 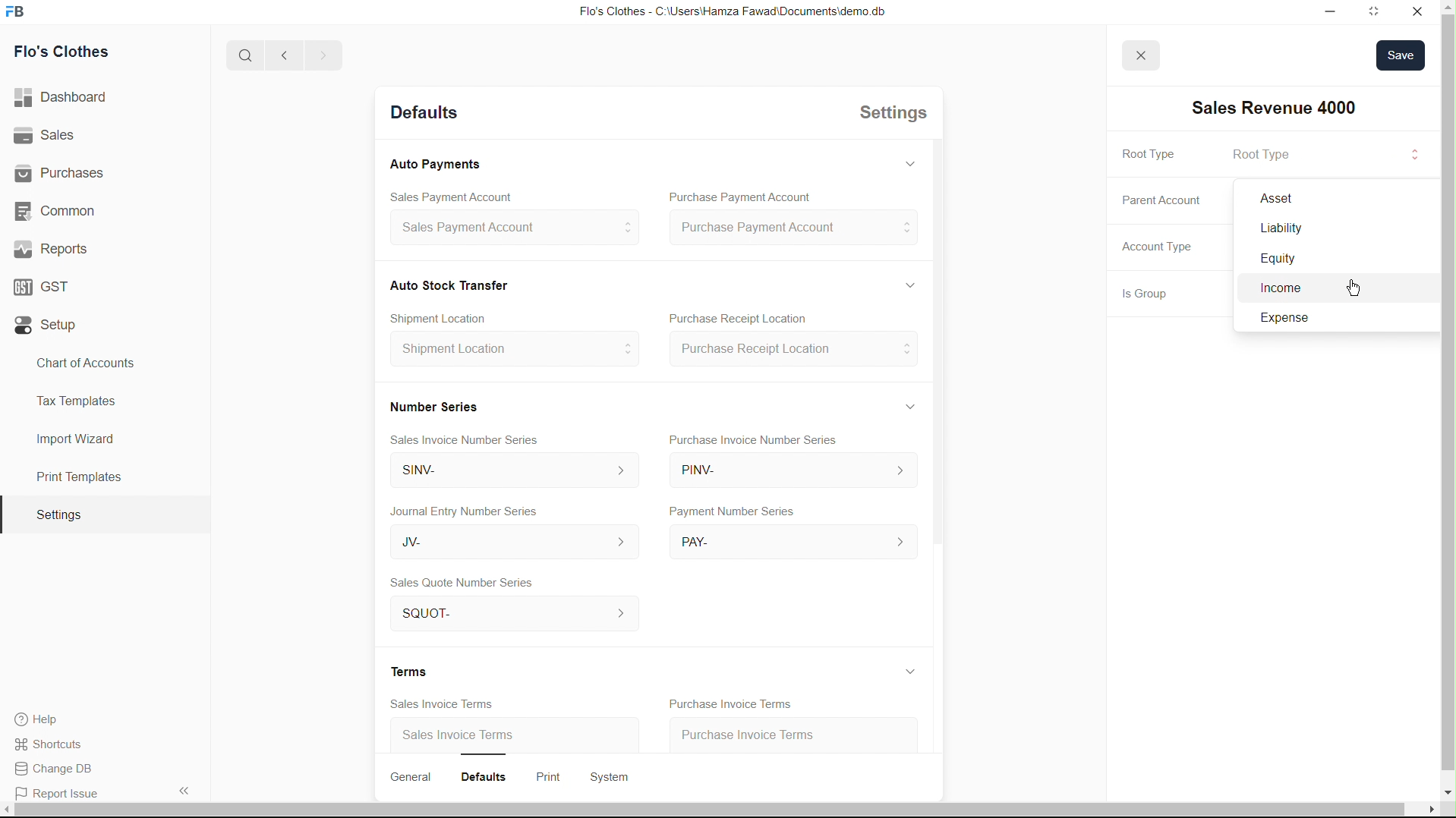 What do you see at coordinates (1446, 408) in the screenshot?
I see `scroll bar` at bounding box center [1446, 408].